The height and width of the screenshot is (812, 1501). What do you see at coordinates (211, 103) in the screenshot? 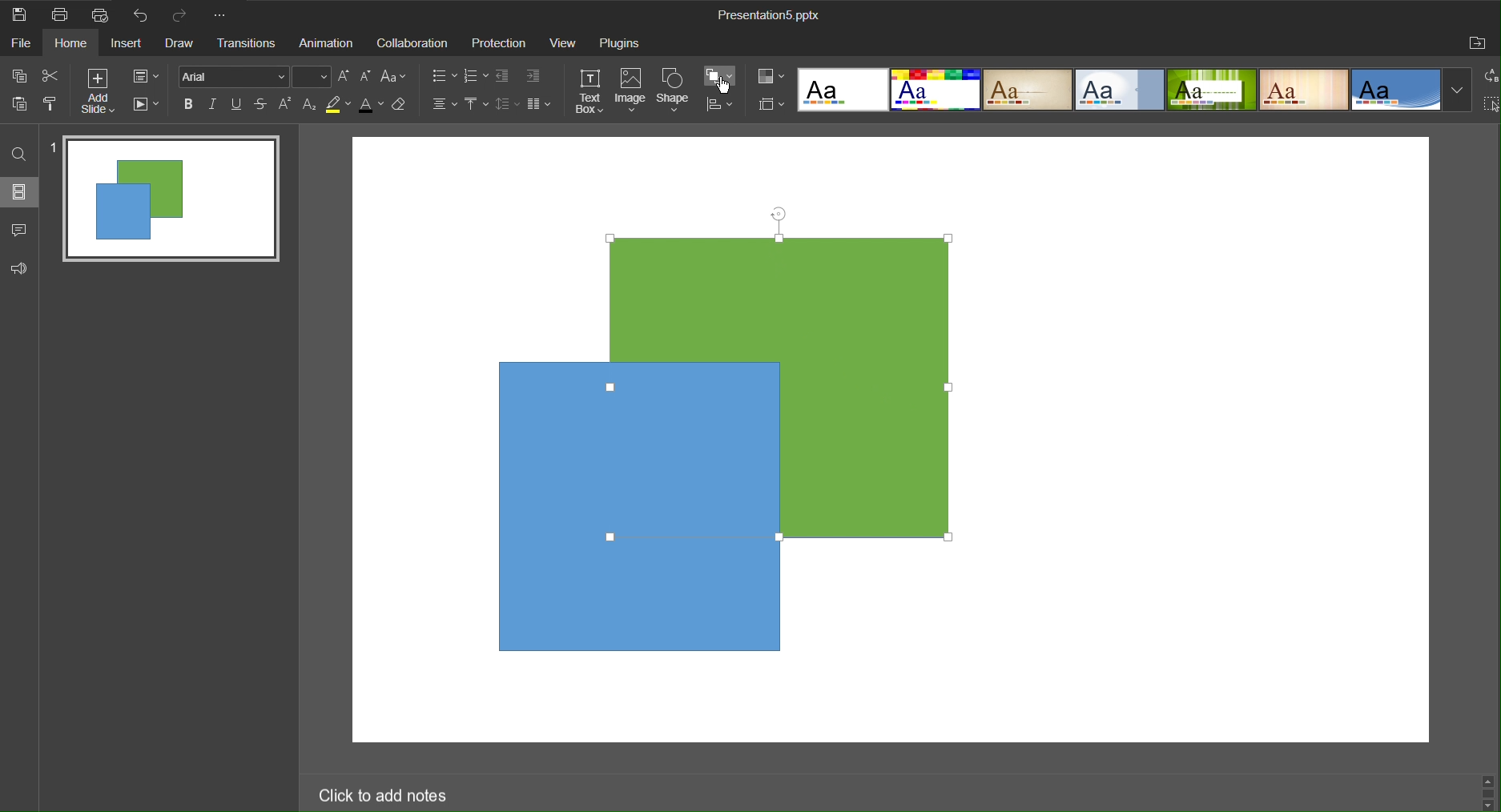
I see `Italic` at bounding box center [211, 103].